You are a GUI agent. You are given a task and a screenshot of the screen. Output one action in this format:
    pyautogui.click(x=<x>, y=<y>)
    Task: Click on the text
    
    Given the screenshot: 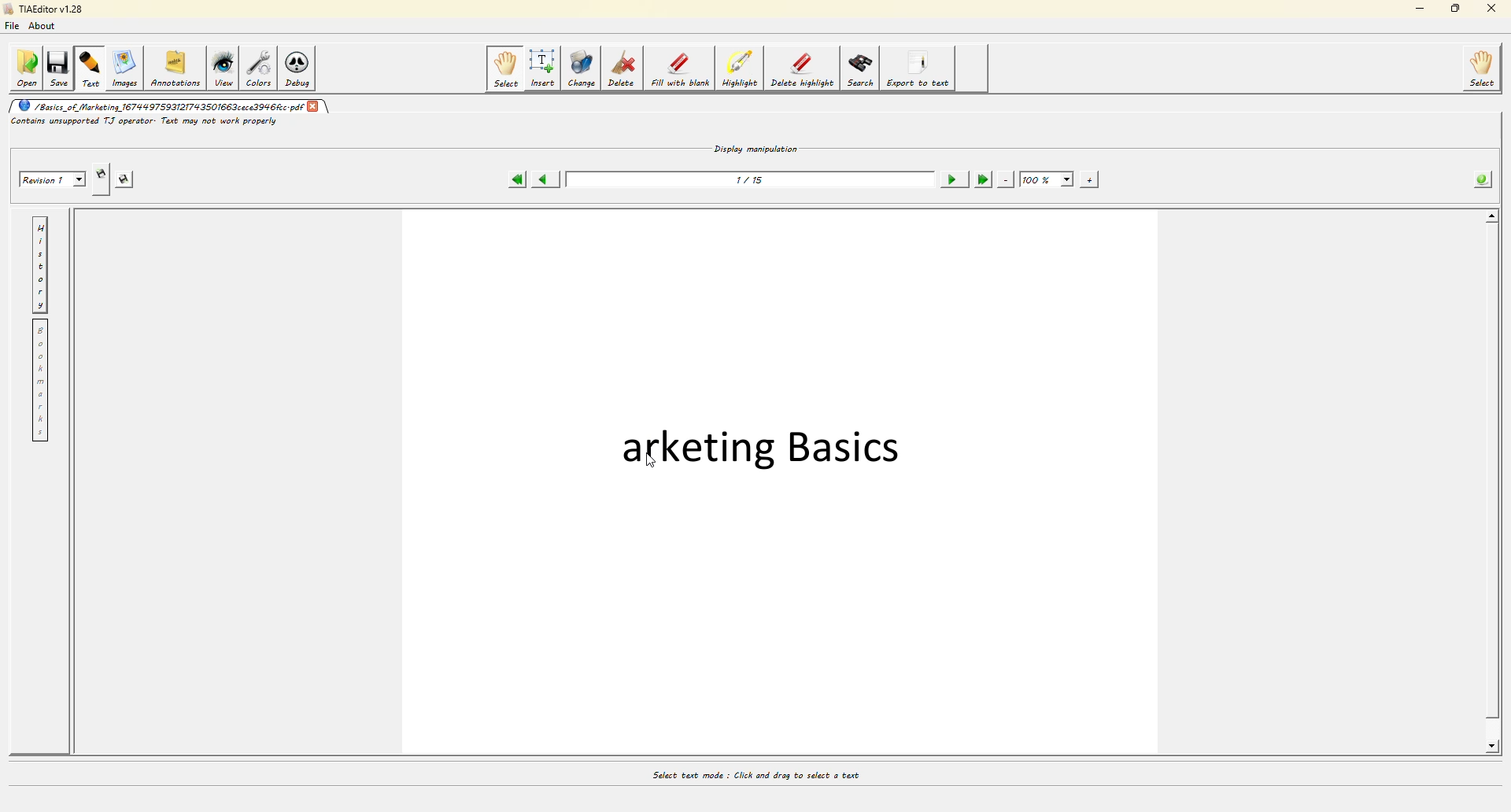 What is the action you would take?
    pyautogui.click(x=91, y=66)
    